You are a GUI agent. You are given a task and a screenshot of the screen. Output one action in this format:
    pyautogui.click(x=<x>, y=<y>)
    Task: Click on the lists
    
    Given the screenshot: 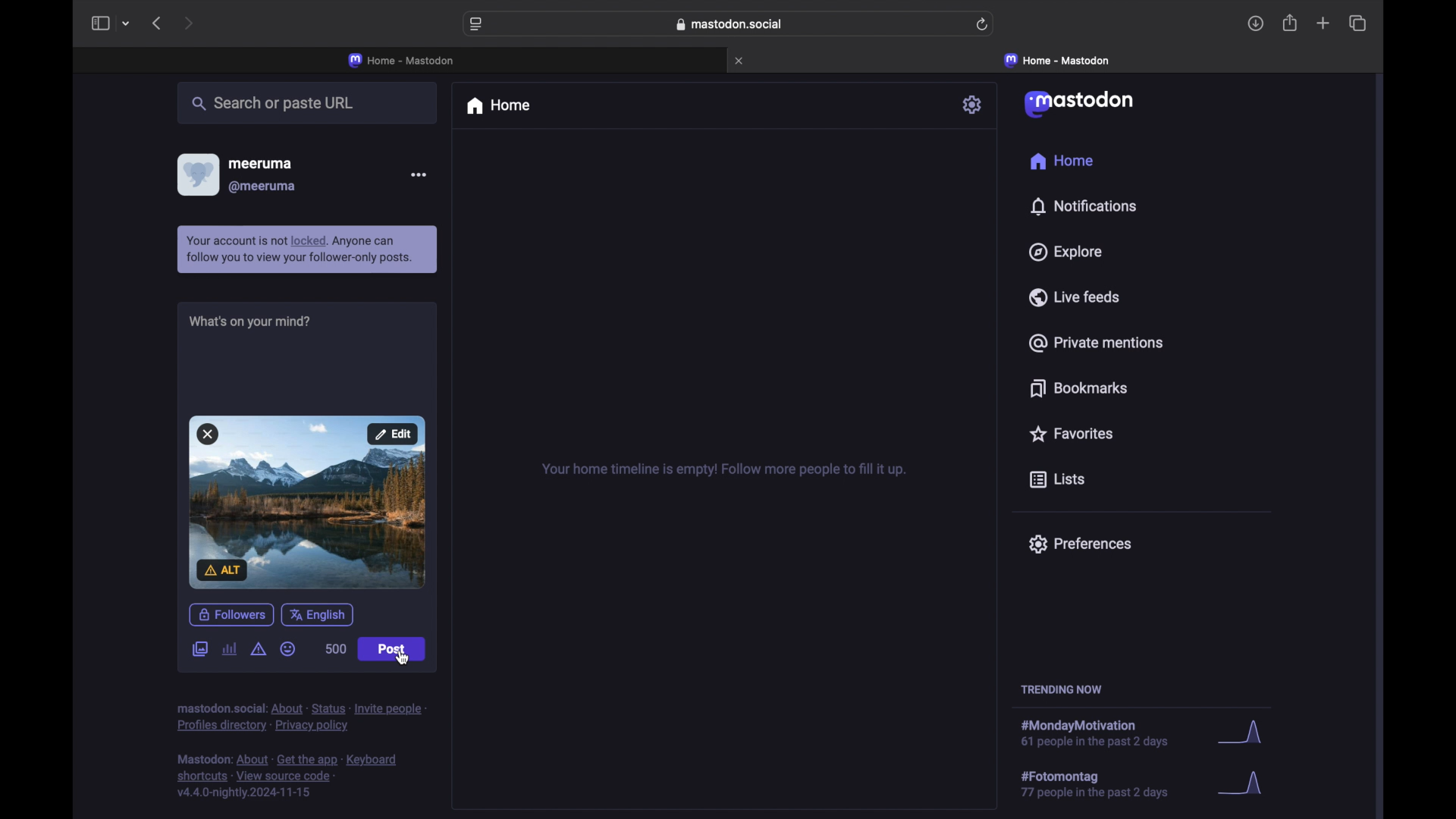 What is the action you would take?
    pyautogui.click(x=1056, y=479)
    